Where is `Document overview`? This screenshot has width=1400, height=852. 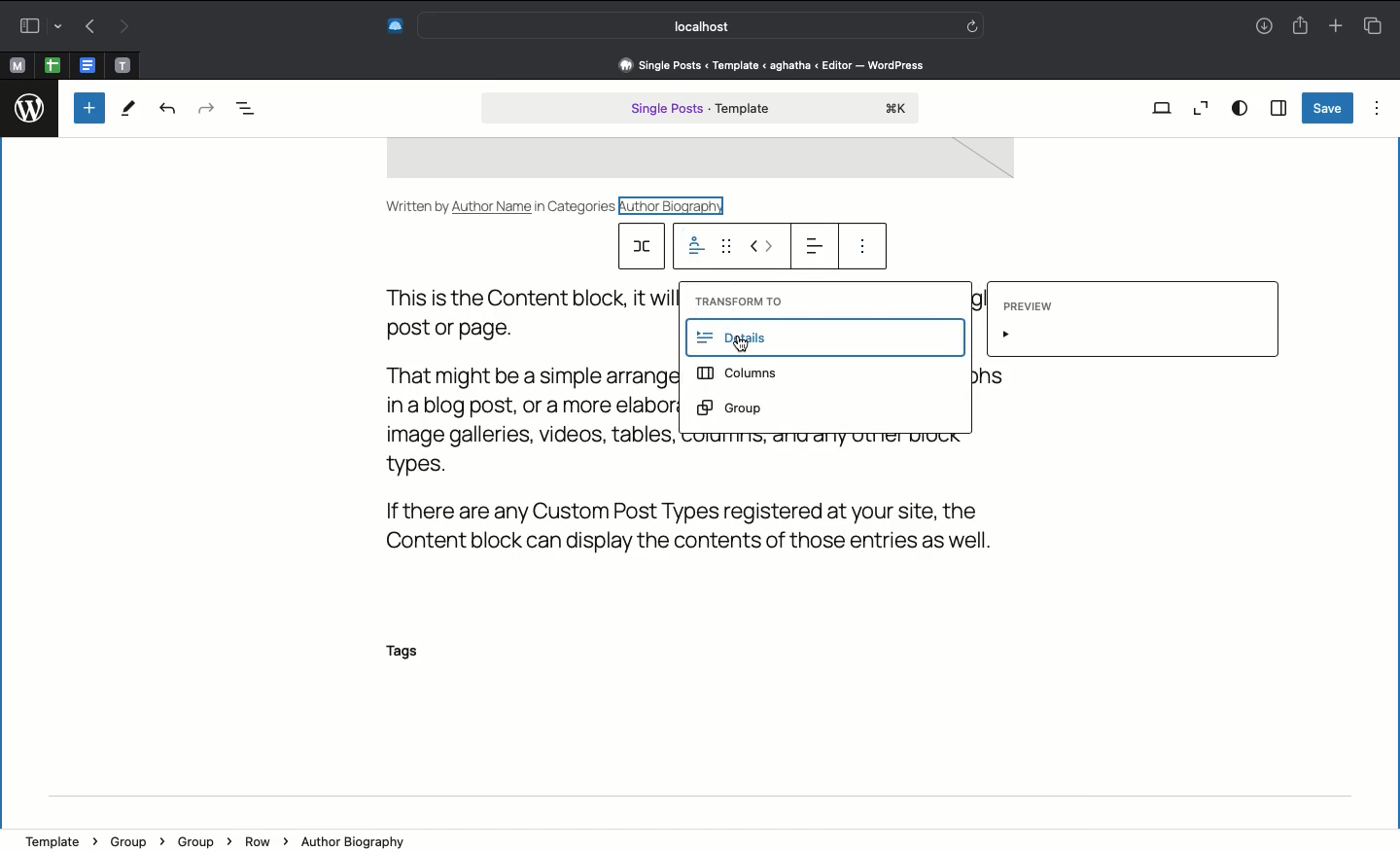 Document overview is located at coordinates (256, 109).